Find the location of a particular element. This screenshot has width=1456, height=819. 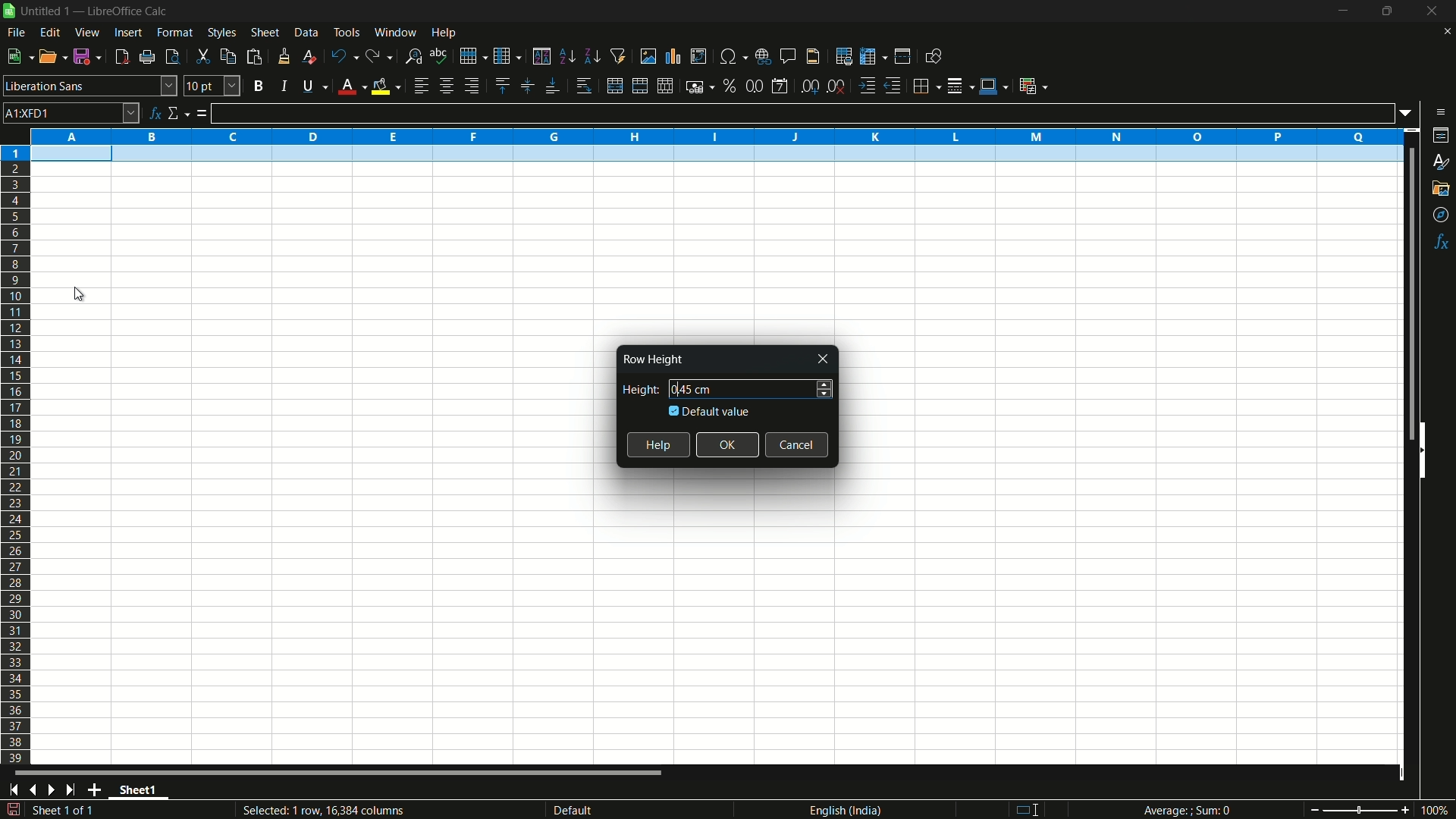

open file is located at coordinates (54, 57).